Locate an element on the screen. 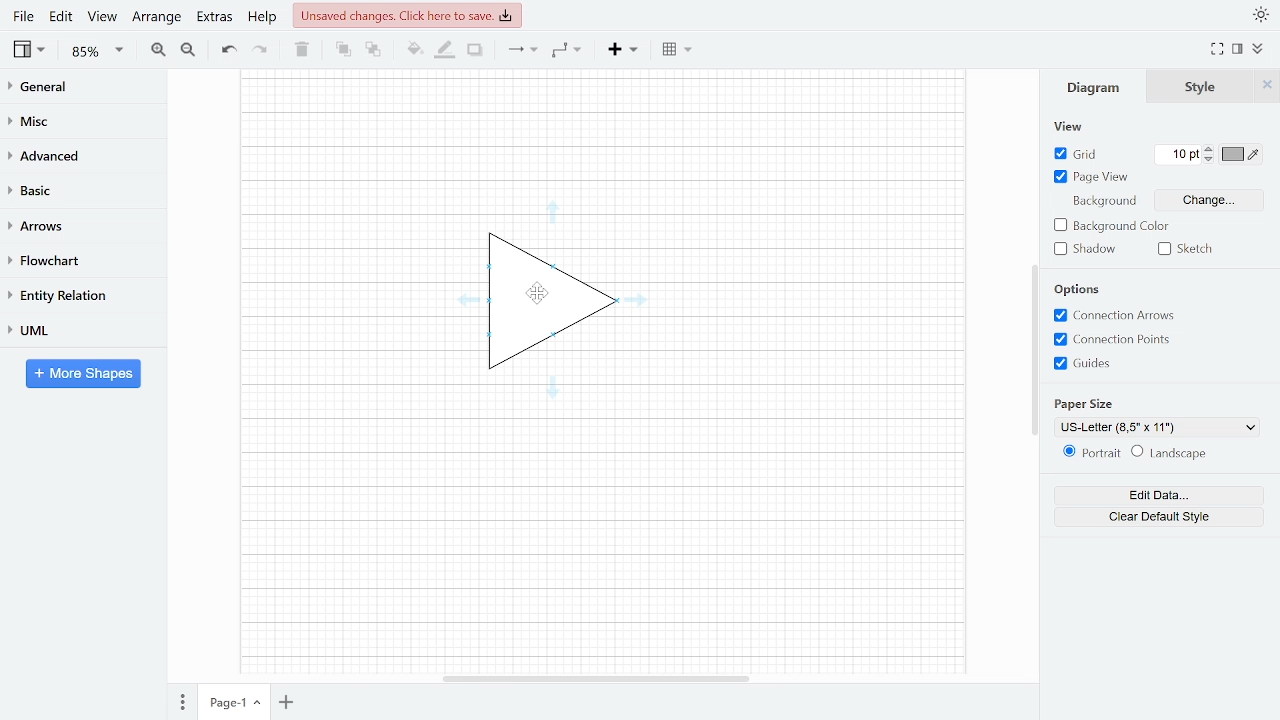  Waypoints is located at coordinates (568, 49).